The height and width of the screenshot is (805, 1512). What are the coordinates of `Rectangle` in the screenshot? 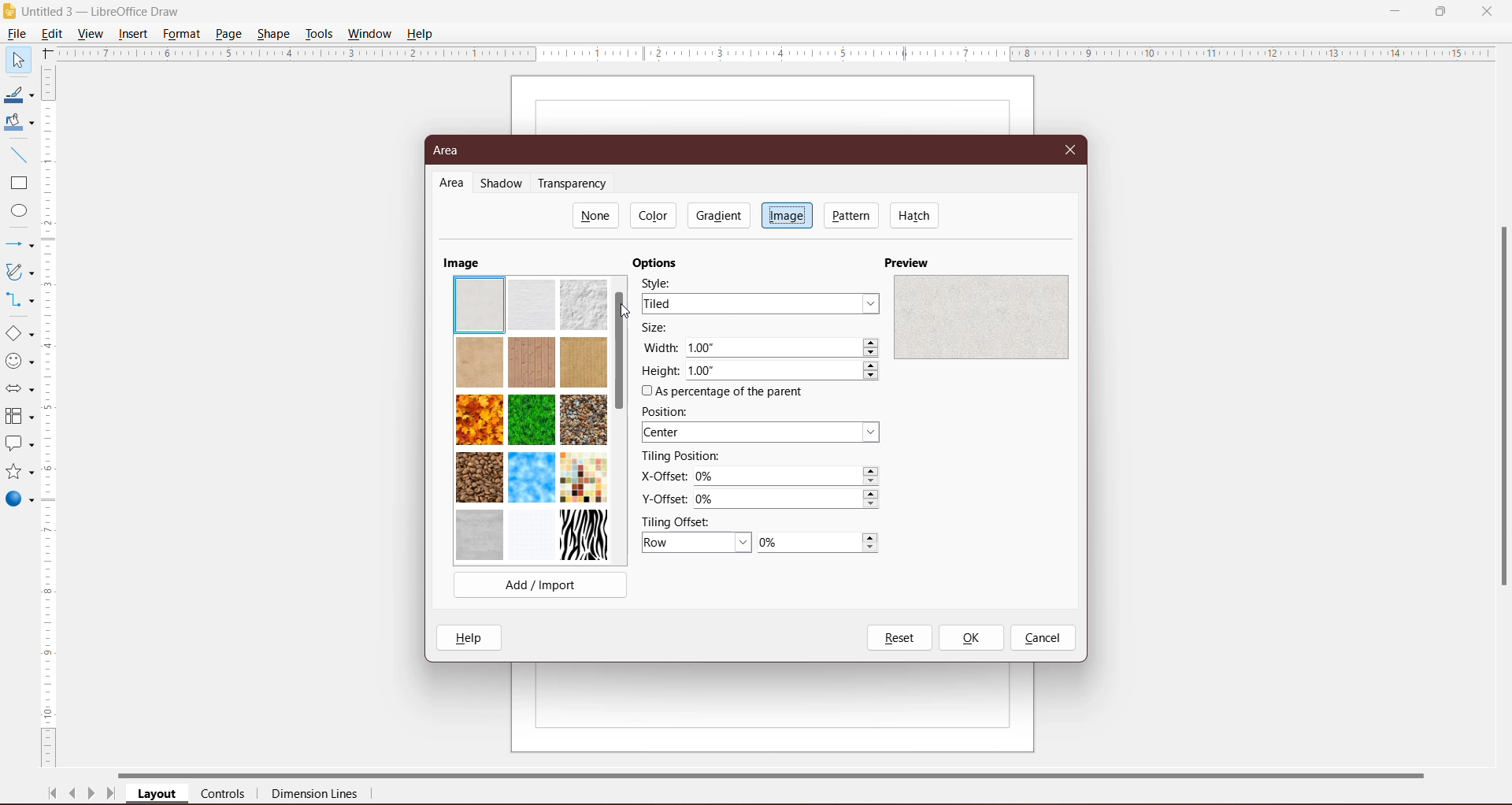 It's located at (17, 184).